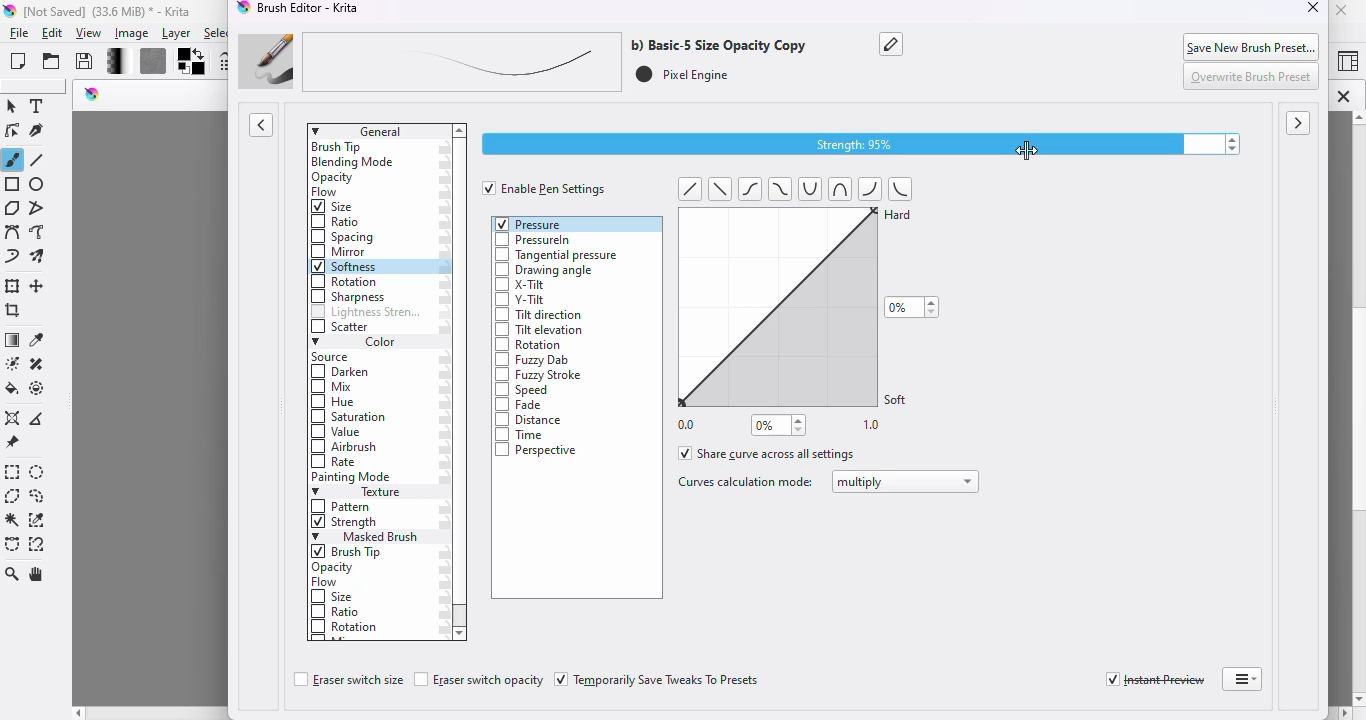 This screenshot has width=1366, height=720. I want to click on rate, so click(336, 462).